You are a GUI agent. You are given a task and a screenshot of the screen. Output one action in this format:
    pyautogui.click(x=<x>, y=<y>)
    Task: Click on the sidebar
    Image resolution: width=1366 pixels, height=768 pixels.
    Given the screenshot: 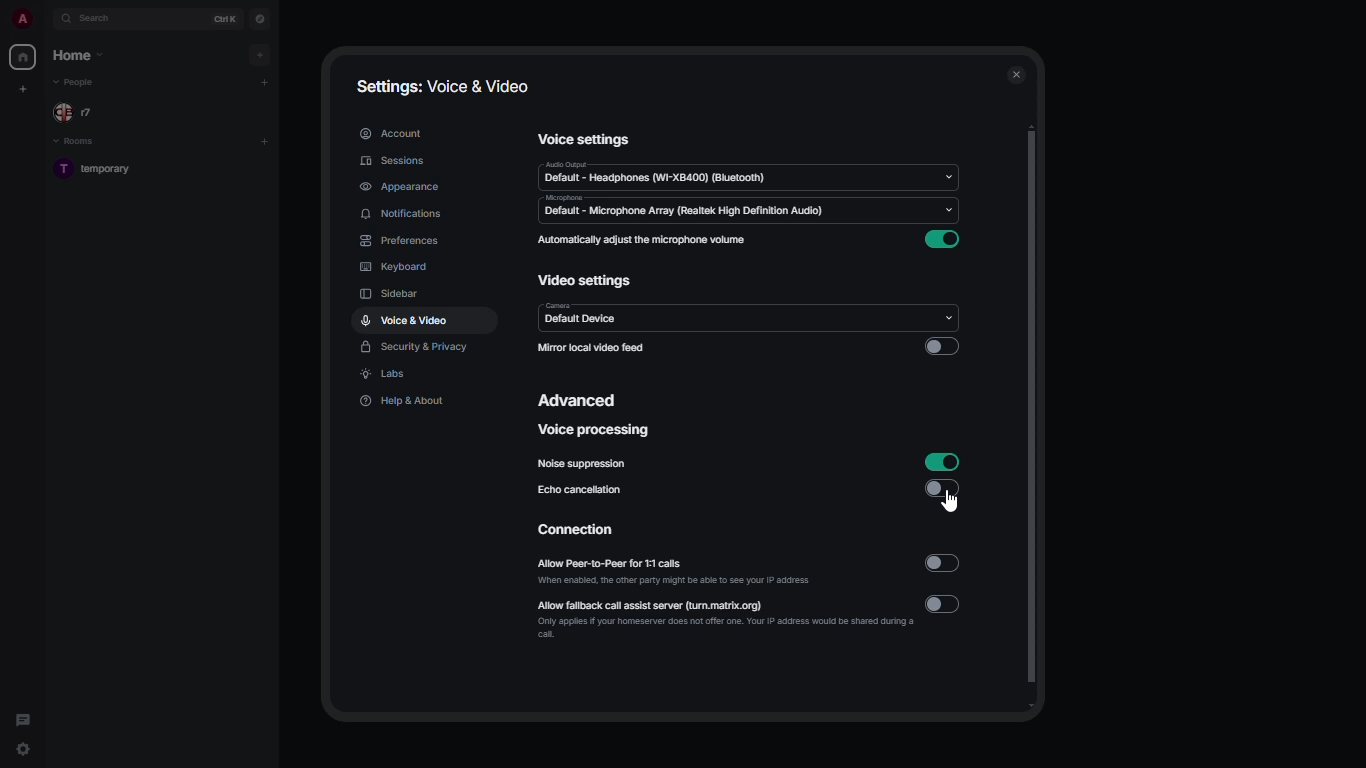 What is the action you would take?
    pyautogui.click(x=395, y=293)
    